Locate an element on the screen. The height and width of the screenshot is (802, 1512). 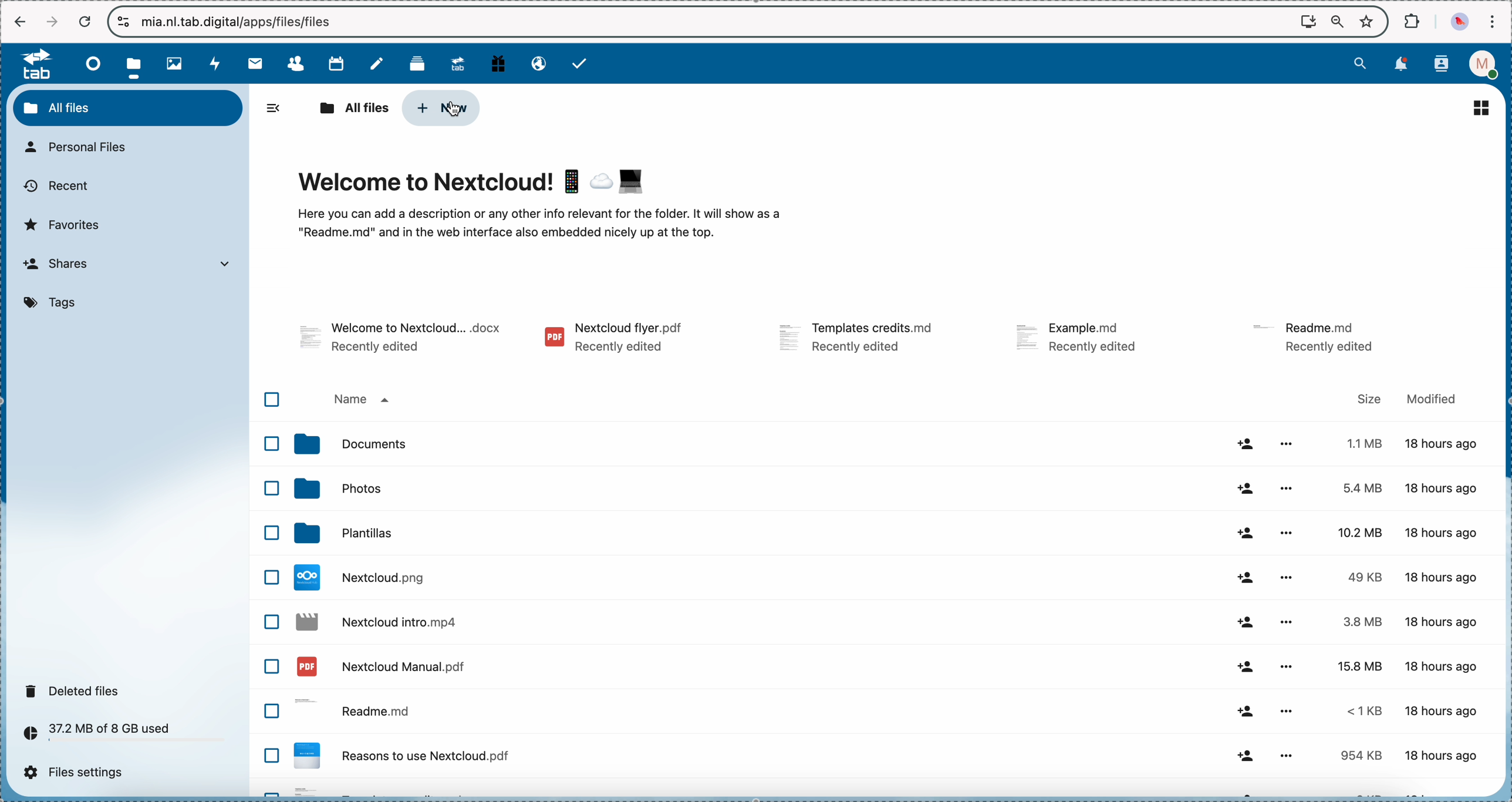
readme file is located at coordinates (752, 713).